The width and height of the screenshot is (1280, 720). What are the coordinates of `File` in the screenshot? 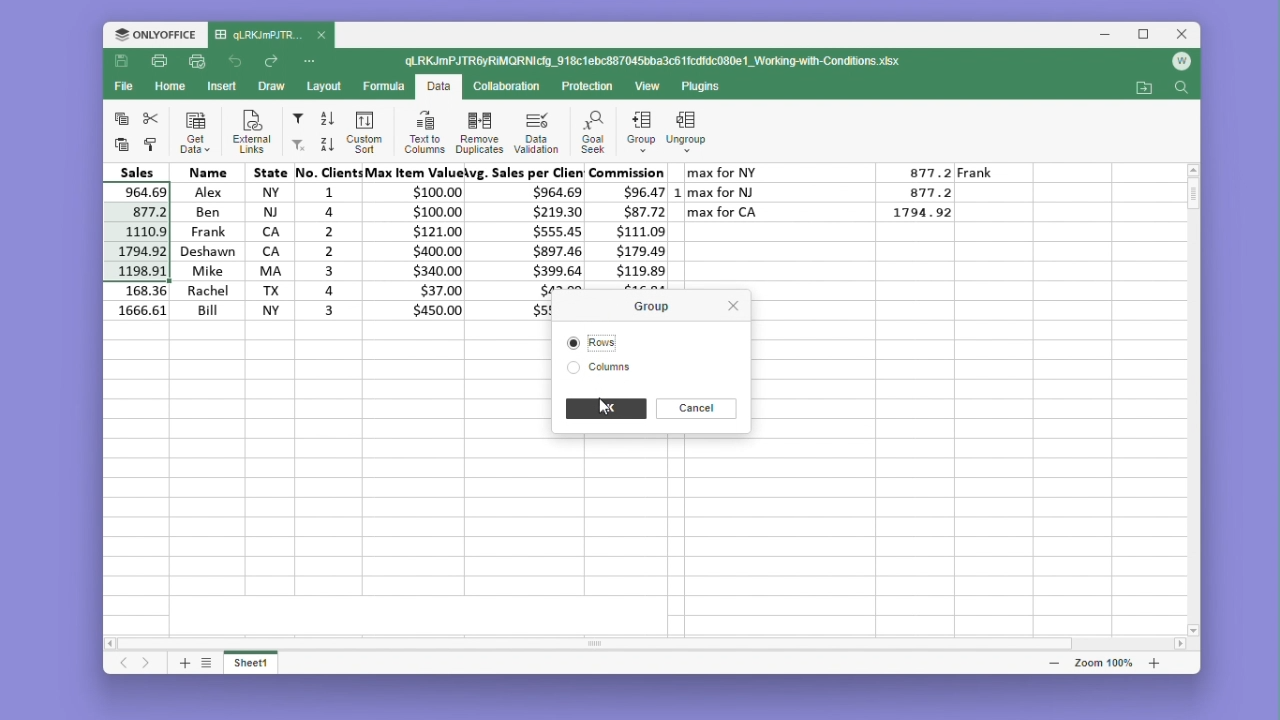 It's located at (127, 86).